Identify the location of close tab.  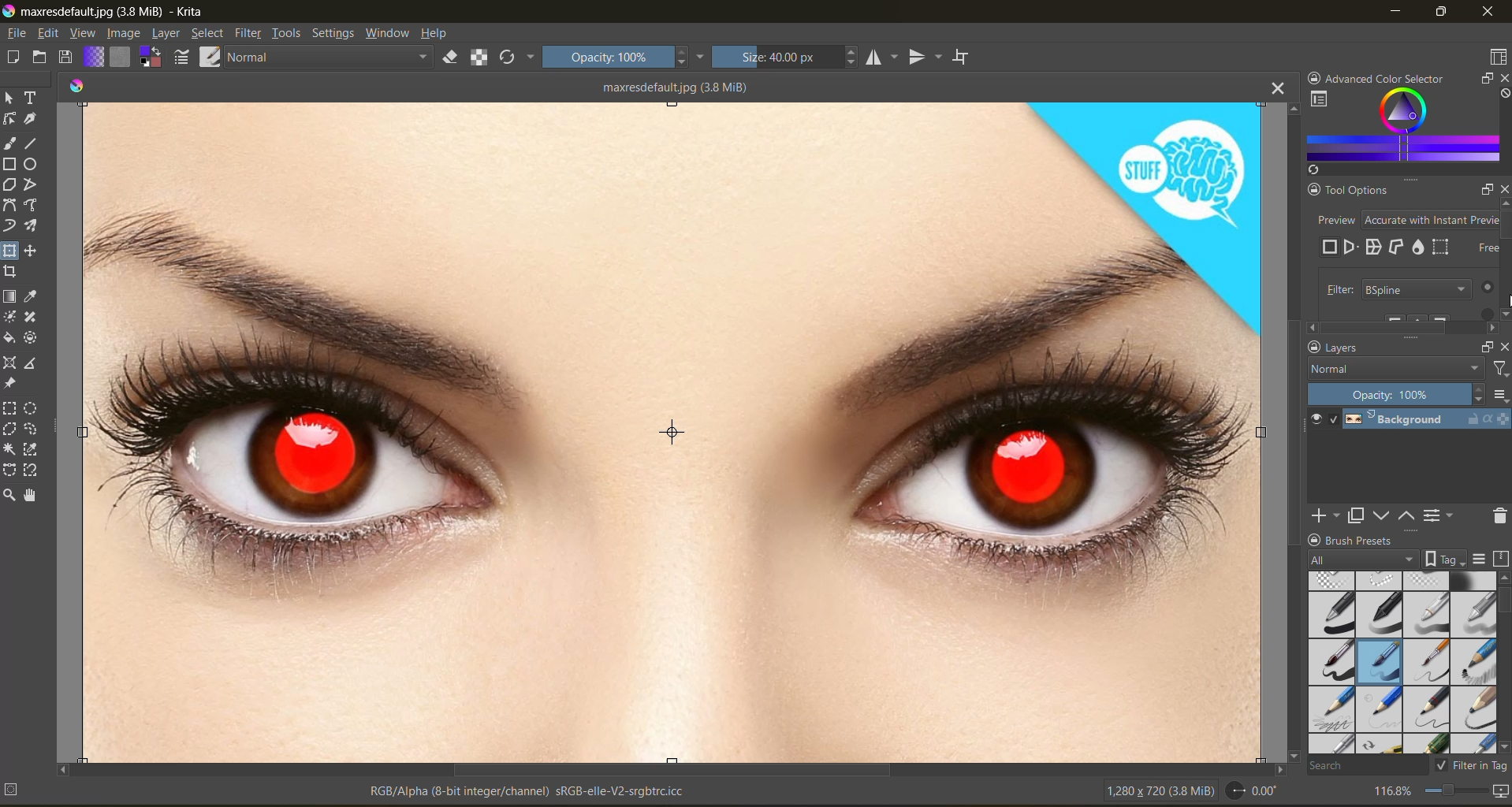
(1268, 92).